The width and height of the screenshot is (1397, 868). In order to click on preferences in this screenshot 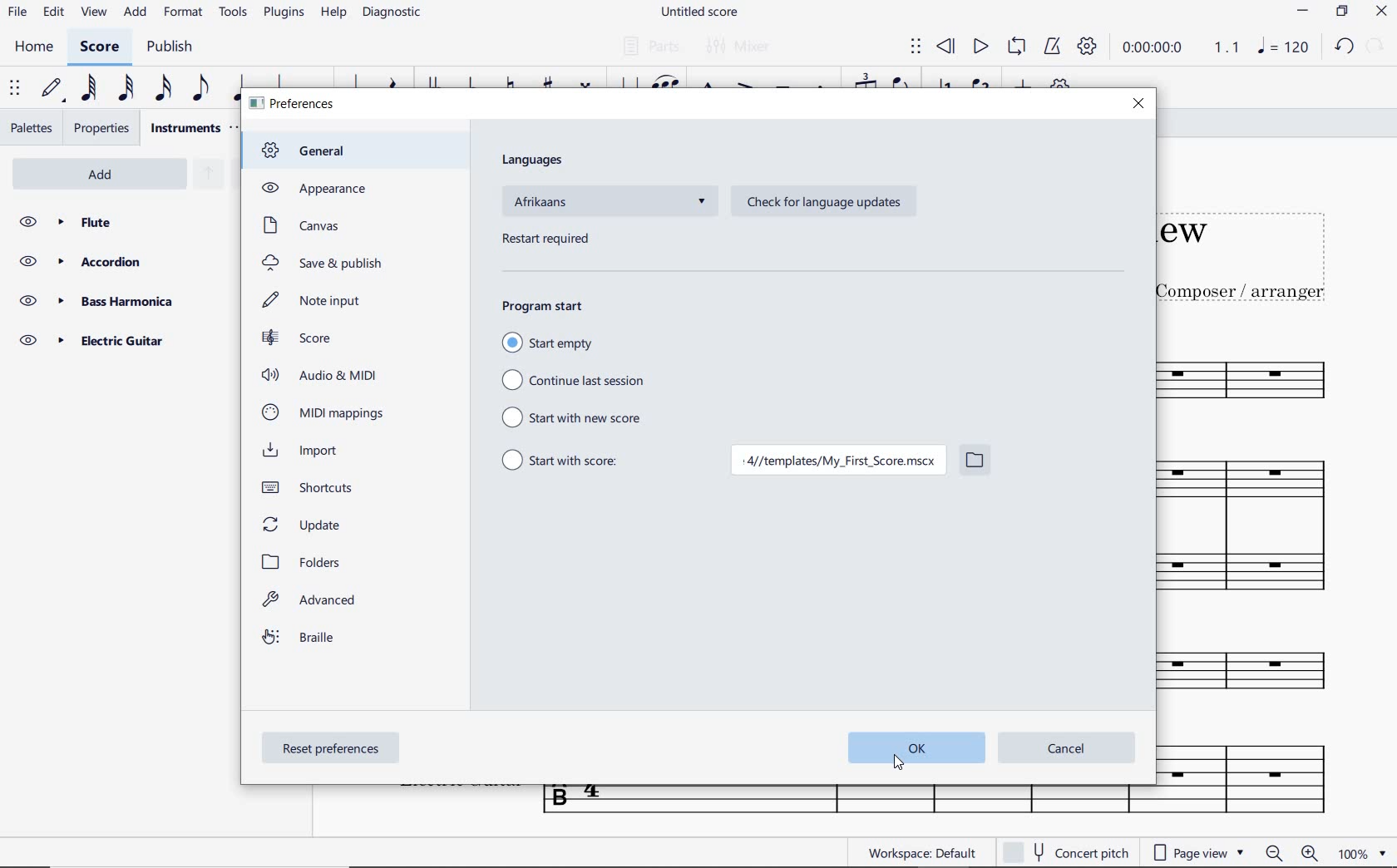, I will do `click(294, 105)`.